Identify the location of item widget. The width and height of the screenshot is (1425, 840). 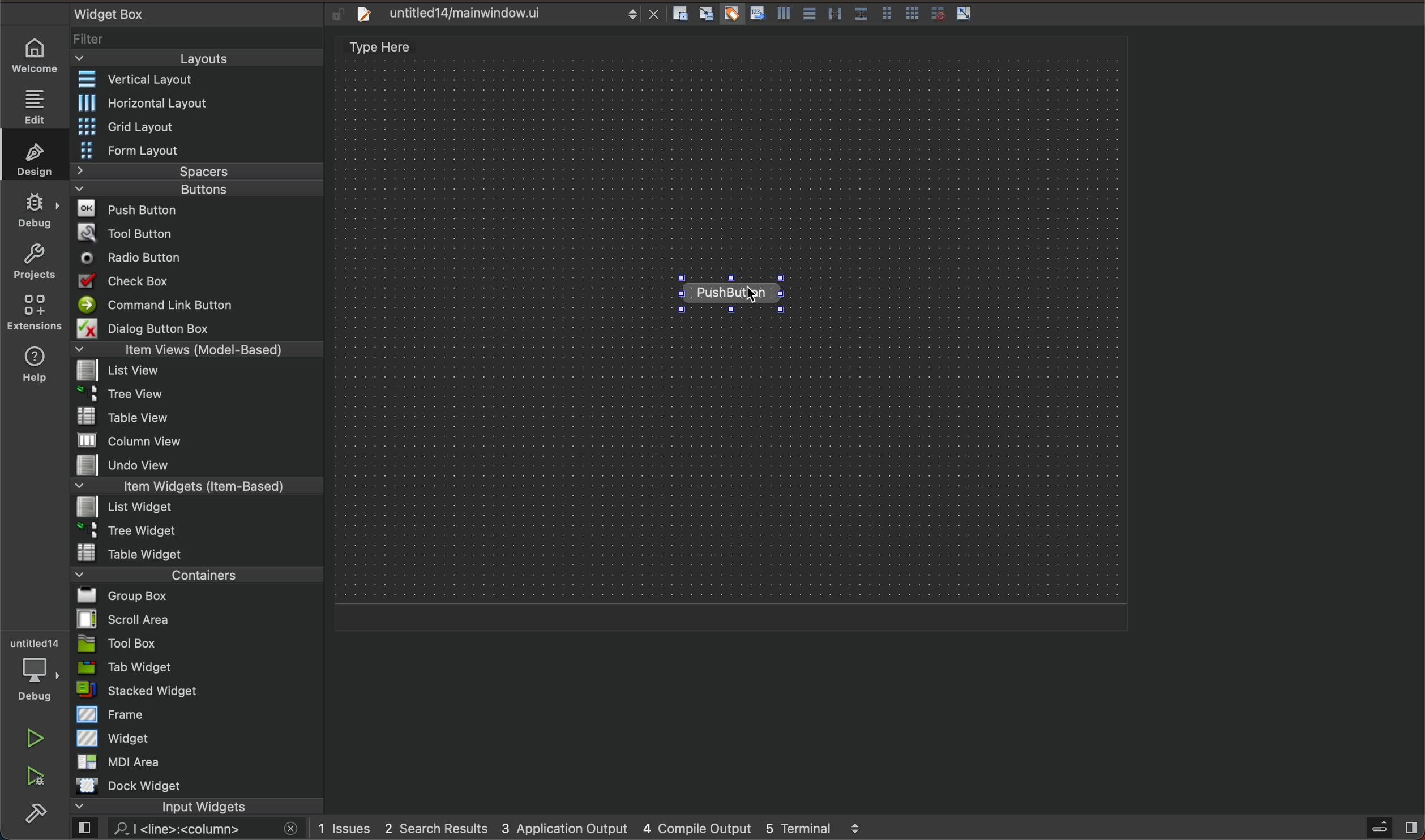
(200, 489).